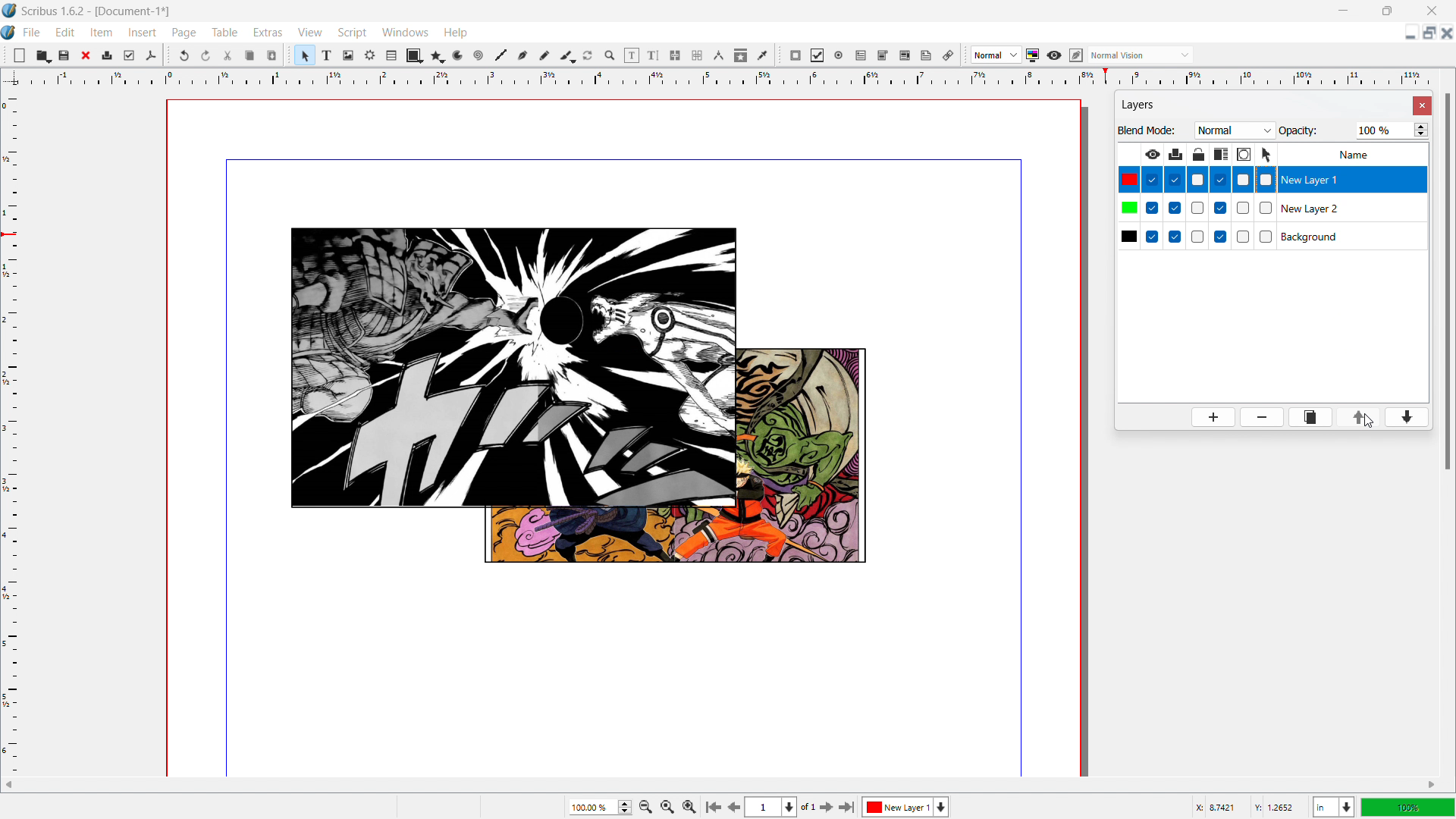 This screenshot has width=1456, height=819. I want to click on arrangement of images changed, so click(576, 397).